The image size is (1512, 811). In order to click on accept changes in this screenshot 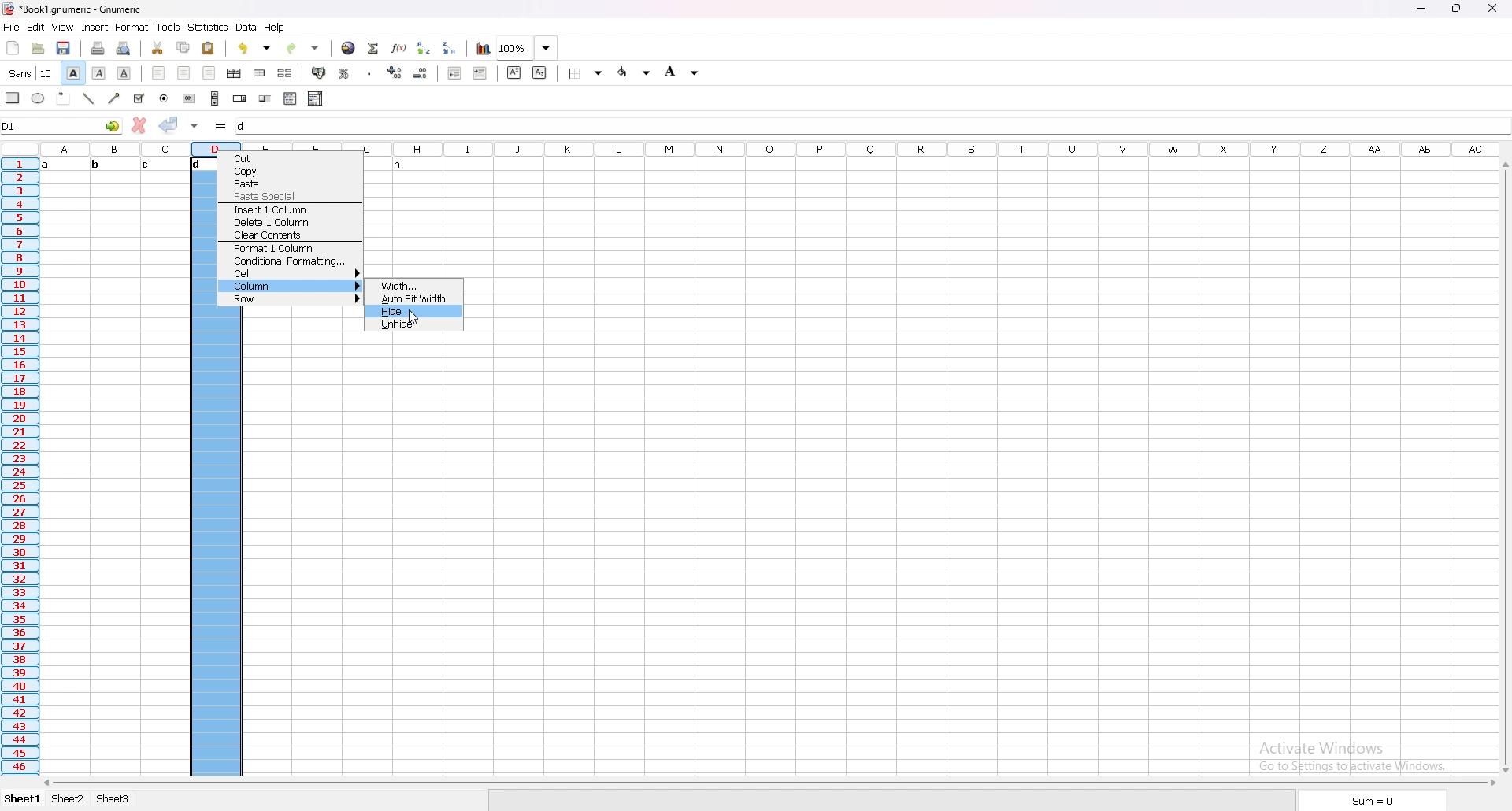, I will do `click(169, 124)`.